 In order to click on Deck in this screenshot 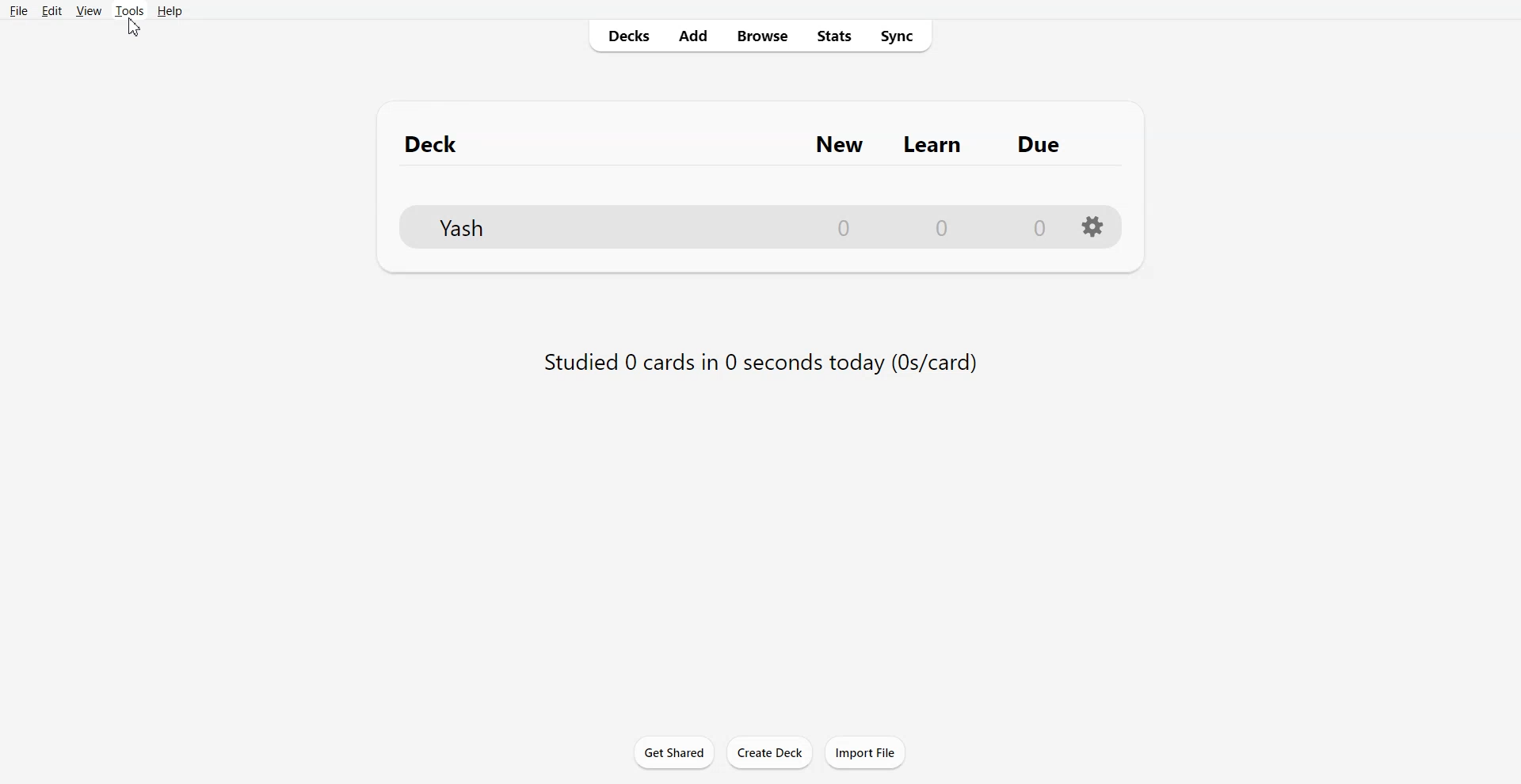, I will do `click(439, 143)`.